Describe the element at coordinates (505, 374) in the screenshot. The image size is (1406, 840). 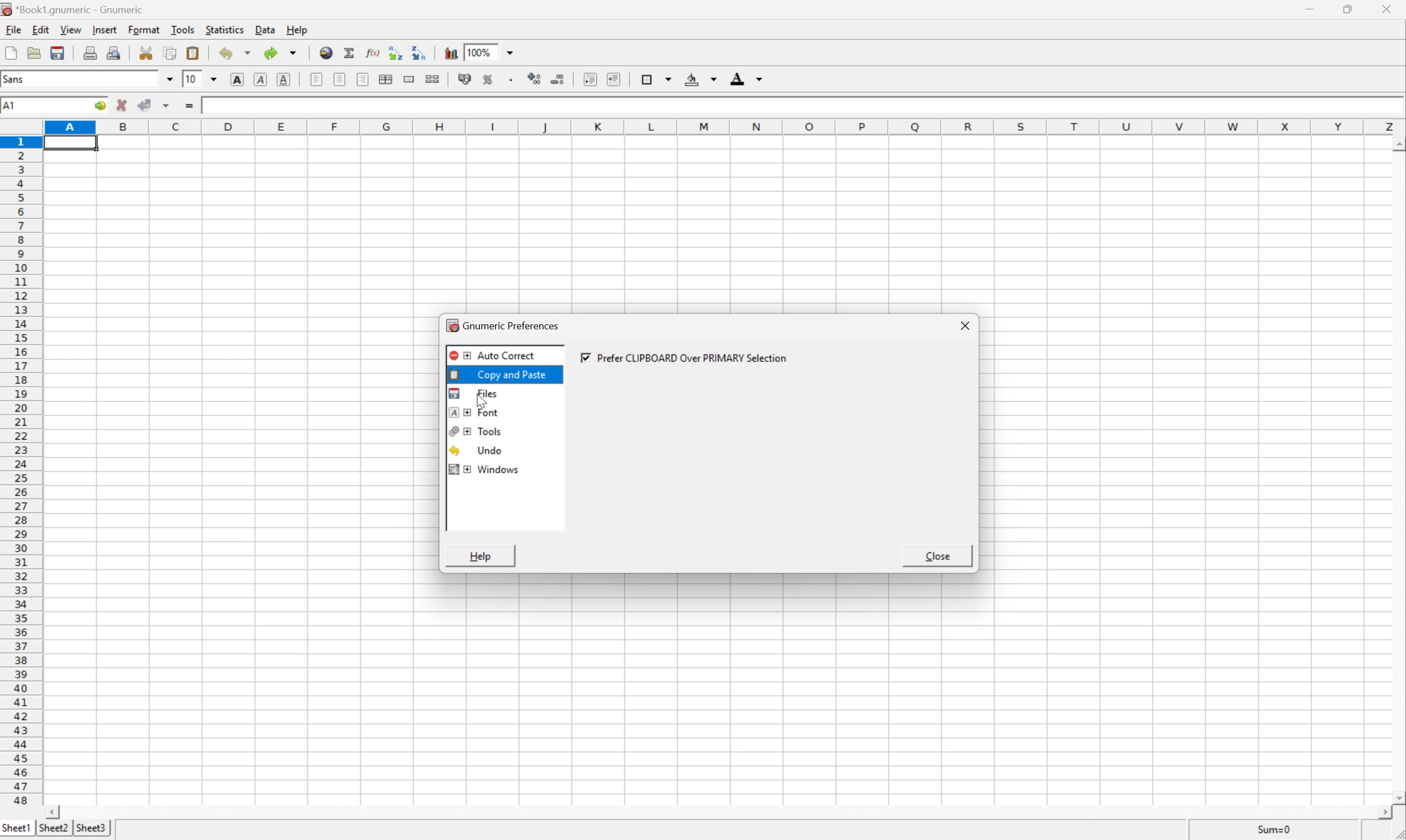
I see `Copy and paste` at that location.